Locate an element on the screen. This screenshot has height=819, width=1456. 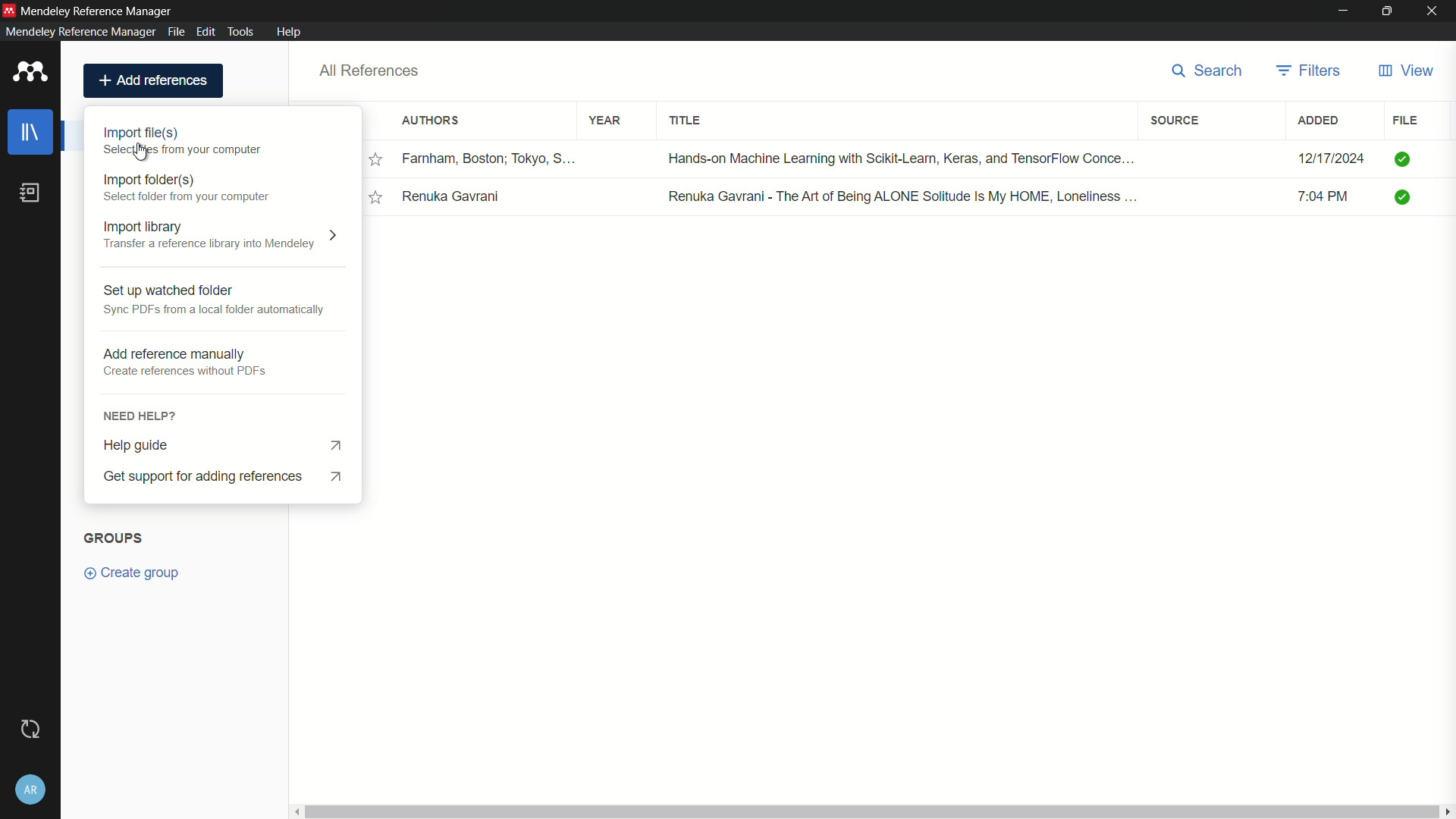
help  is located at coordinates (289, 32).